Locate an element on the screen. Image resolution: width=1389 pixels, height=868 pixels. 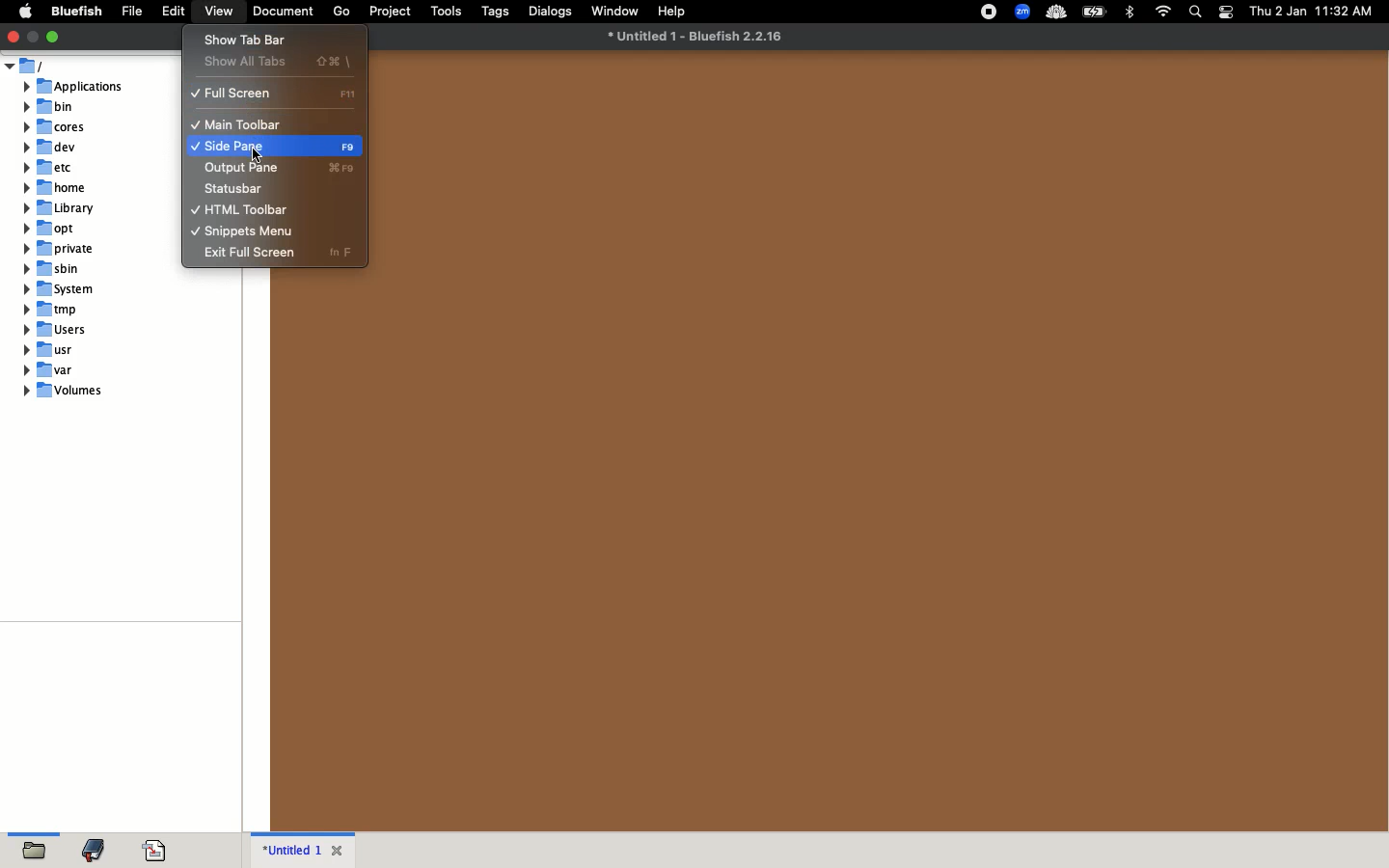
open is located at coordinates (36, 849).